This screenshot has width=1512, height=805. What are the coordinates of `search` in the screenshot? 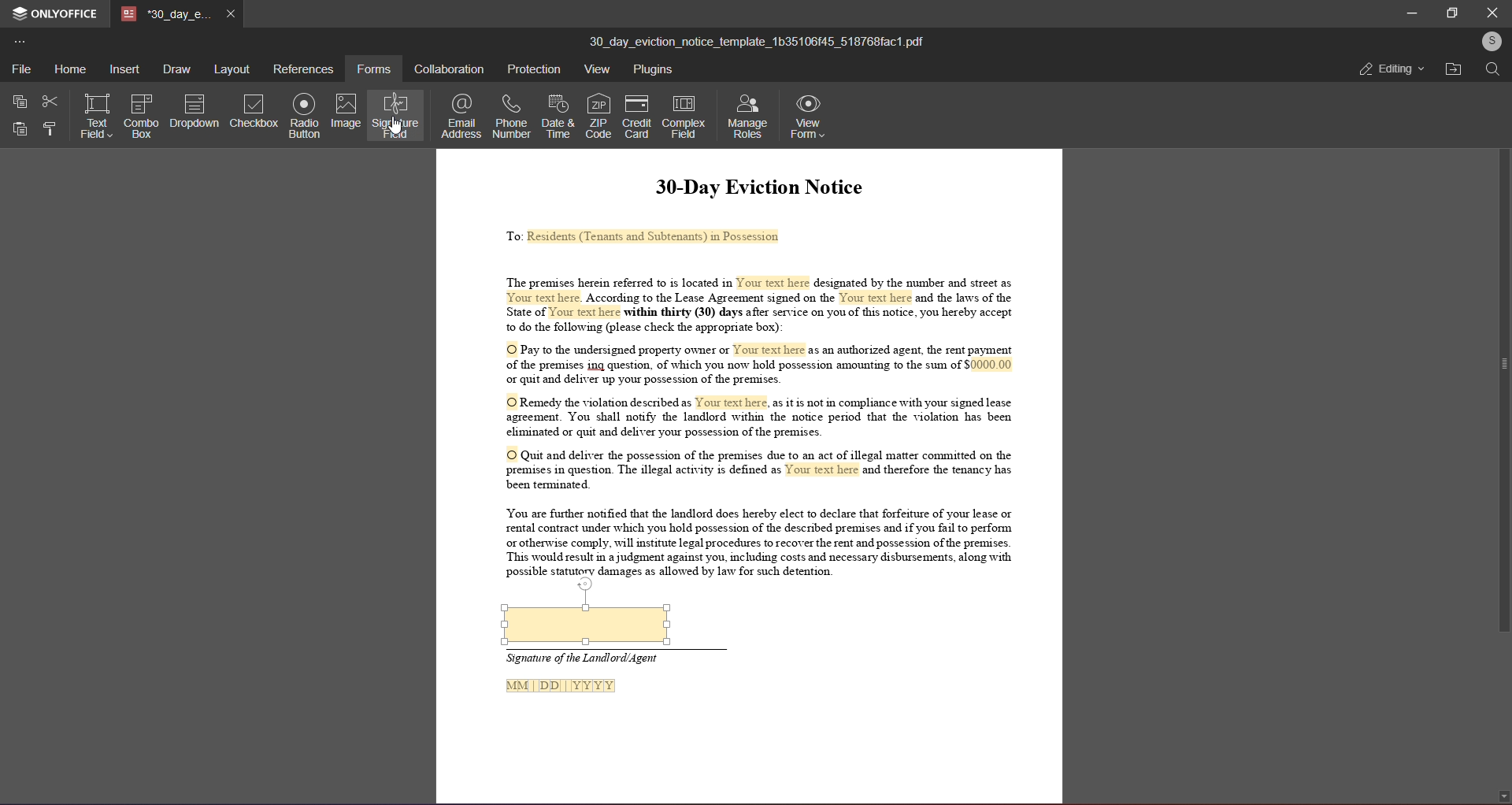 It's located at (1494, 71).